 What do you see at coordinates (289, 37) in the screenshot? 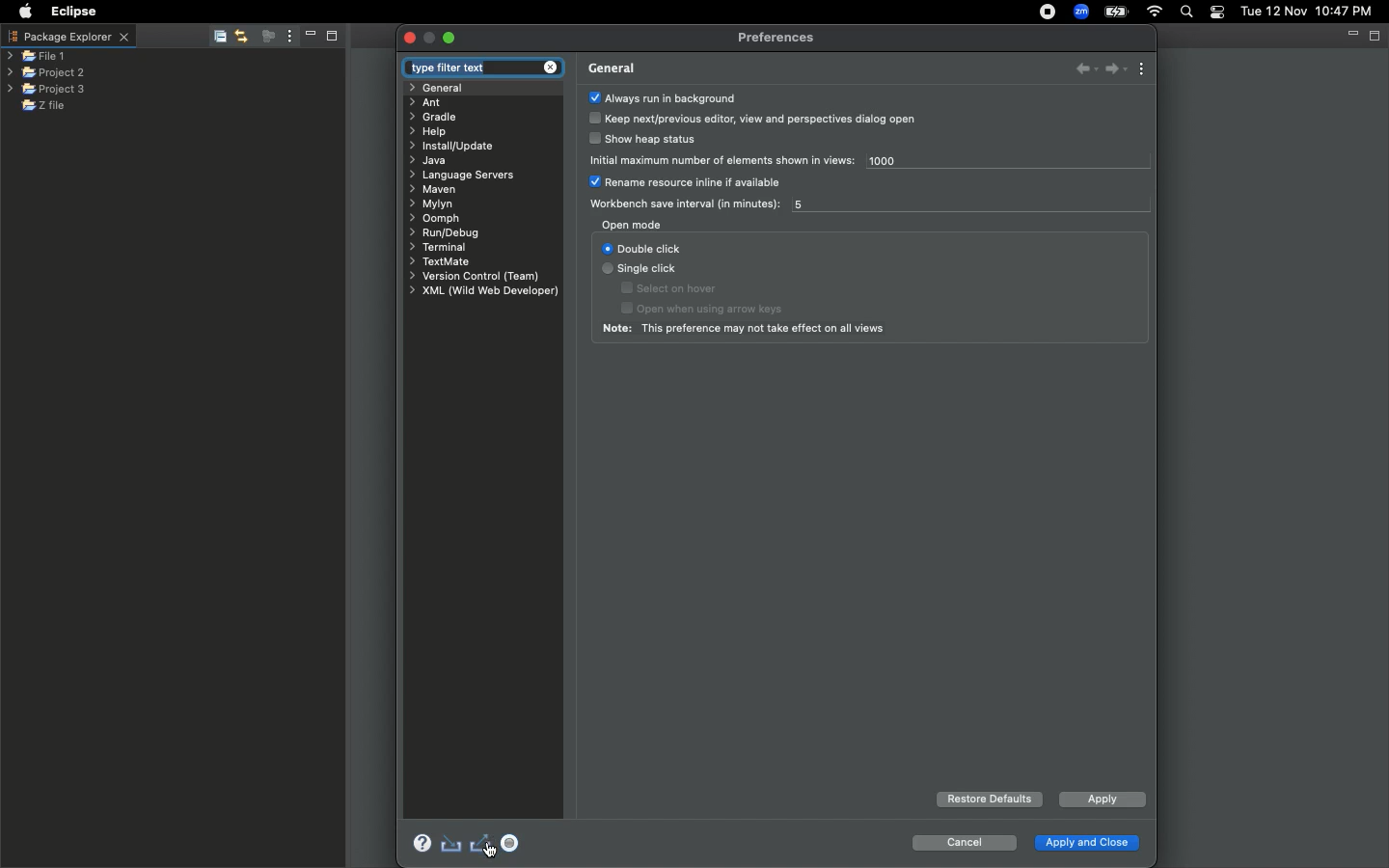
I see `View menu` at bounding box center [289, 37].